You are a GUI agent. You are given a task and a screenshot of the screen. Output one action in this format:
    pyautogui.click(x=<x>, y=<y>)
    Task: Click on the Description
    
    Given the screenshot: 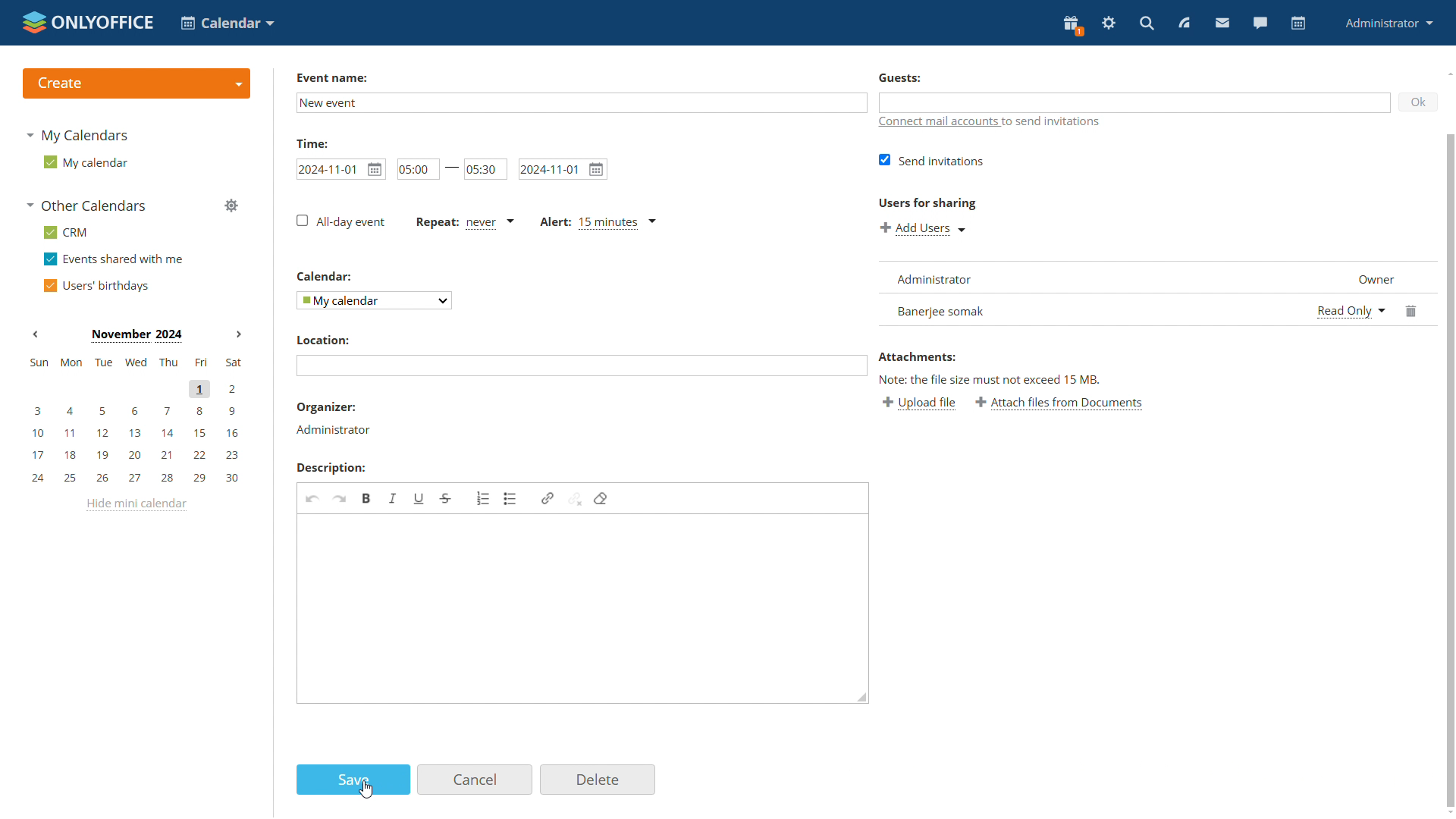 What is the action you would take?
    pyautogui.click(x=330, y=469)
    